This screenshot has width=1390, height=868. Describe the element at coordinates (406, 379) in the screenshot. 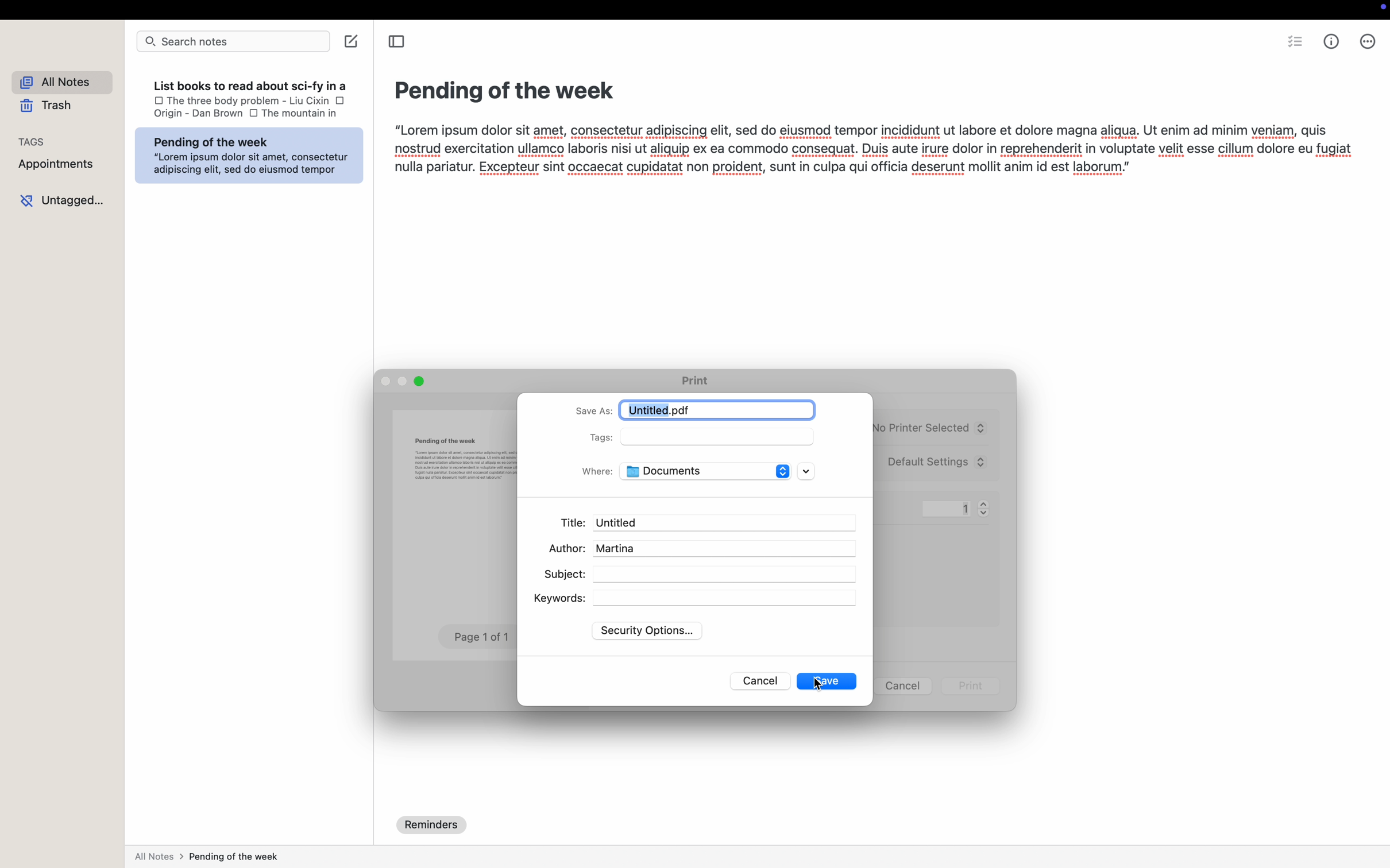

I see `minimize popup` at that location.